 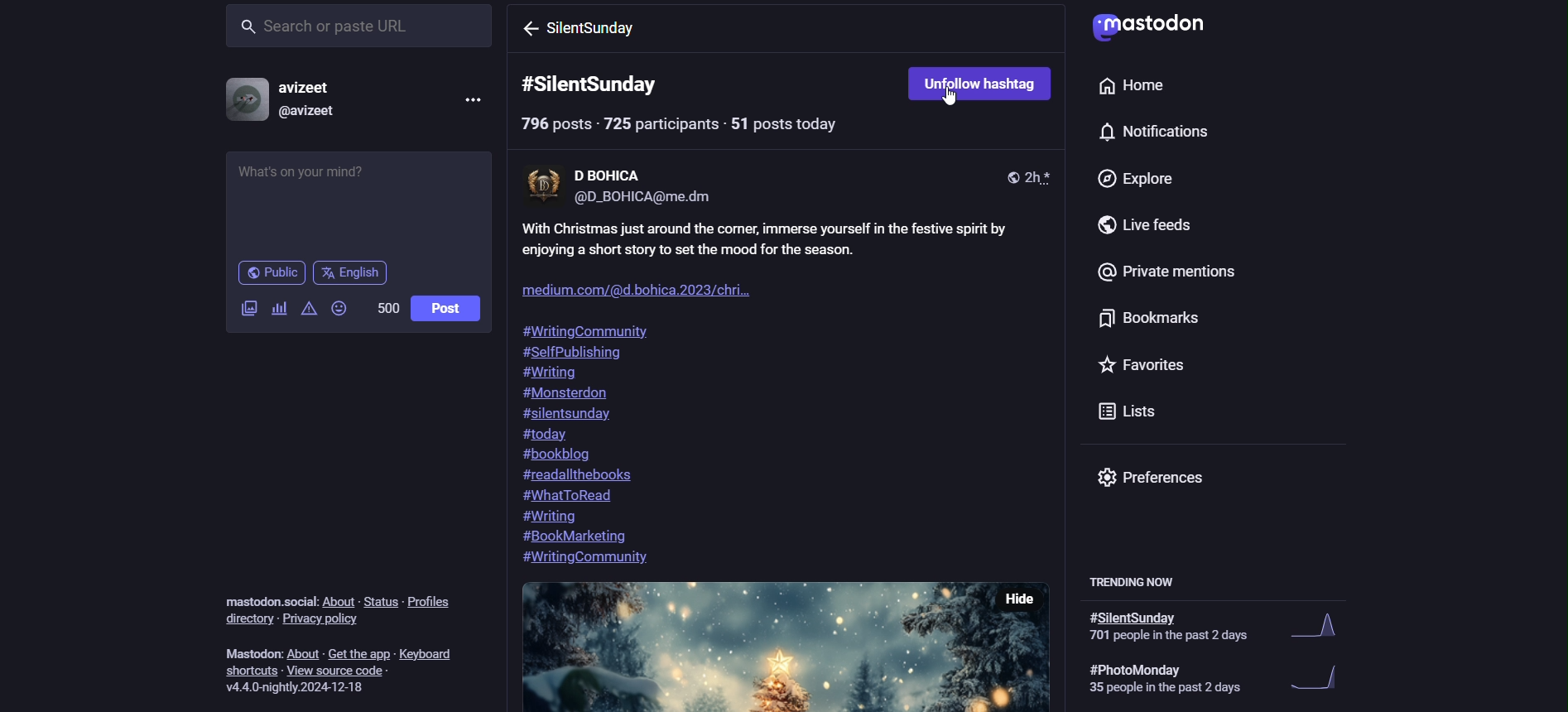 What do you see at coordinates (310, 307) in the screenshot?
I see `add content warning` at bounding box center [310, 307].